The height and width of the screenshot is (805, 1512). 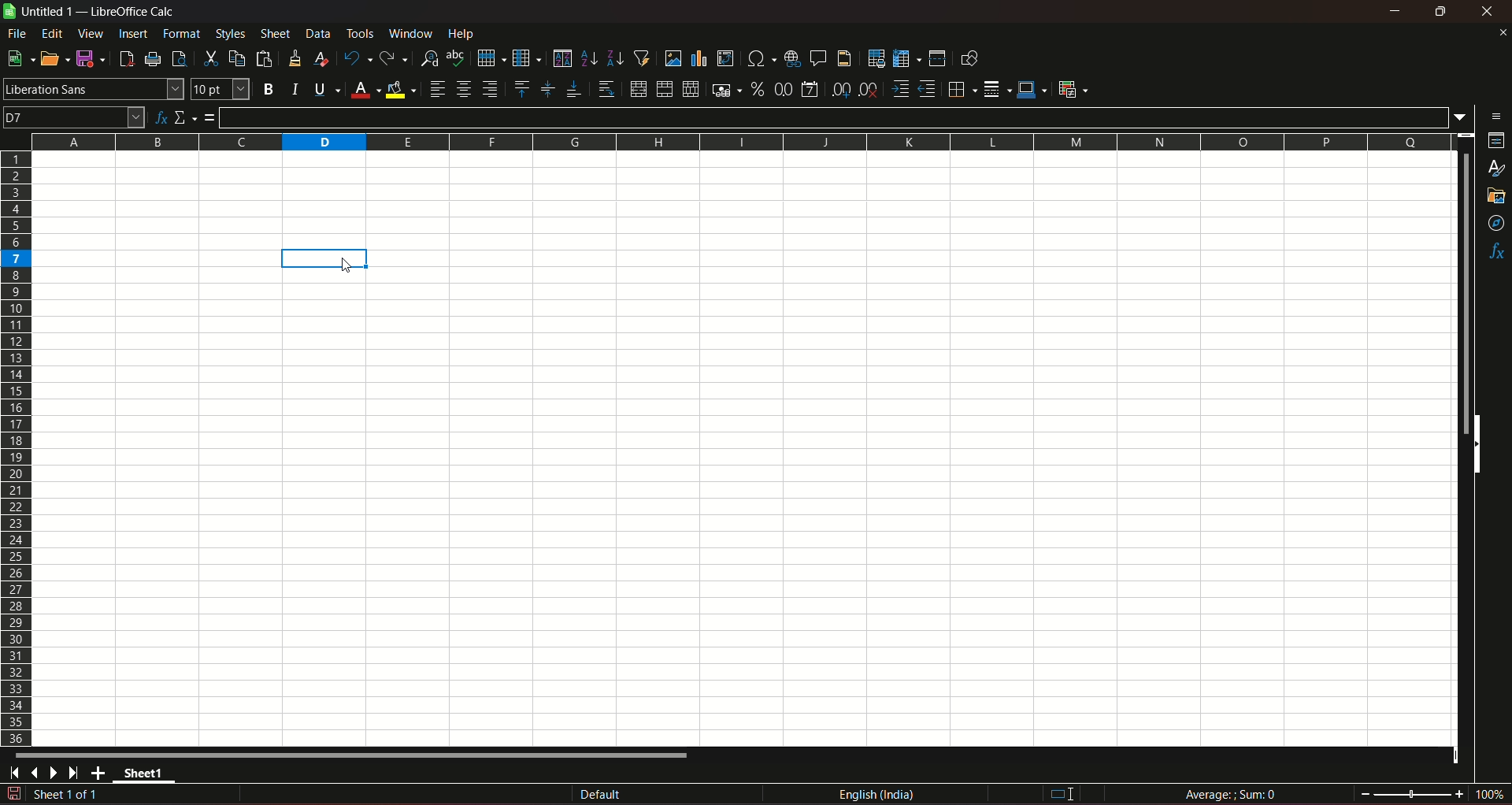 I want to click on align bottom, so click(x=573, y=89).